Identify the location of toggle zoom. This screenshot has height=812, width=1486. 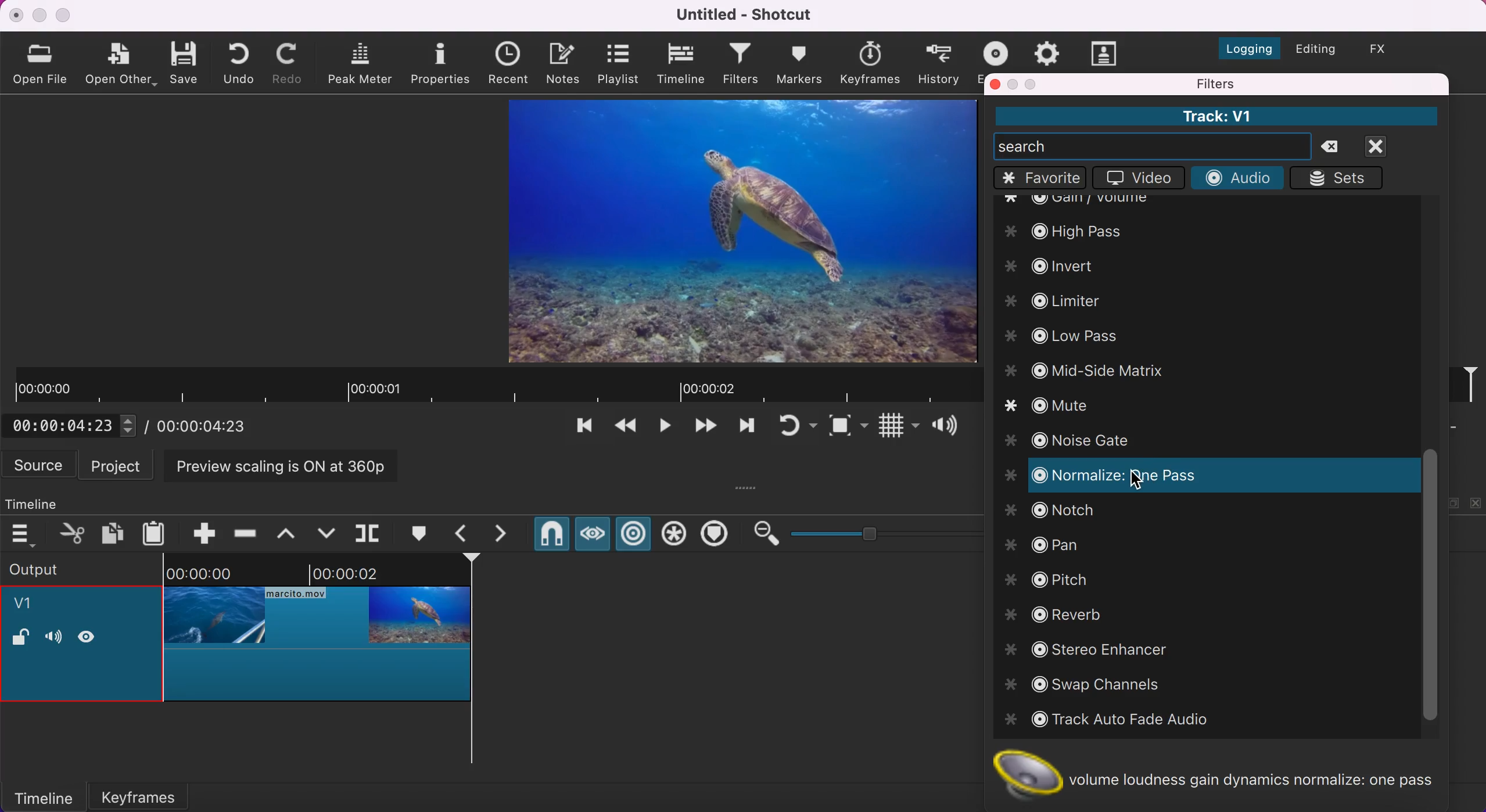
(848, 428).